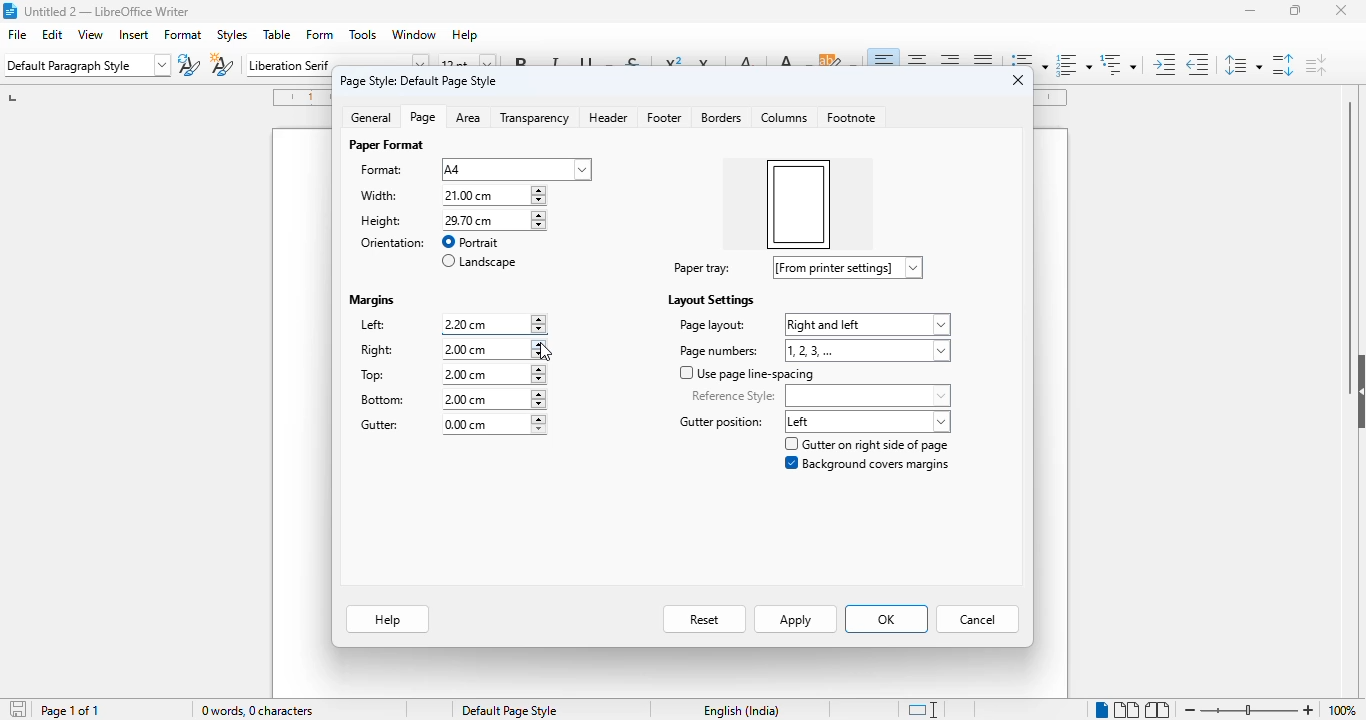 This screenshot has width=1366, height=720. Describe the element at coordinates (867, 351) in the screenshot. I see `page numbers options` at that location.